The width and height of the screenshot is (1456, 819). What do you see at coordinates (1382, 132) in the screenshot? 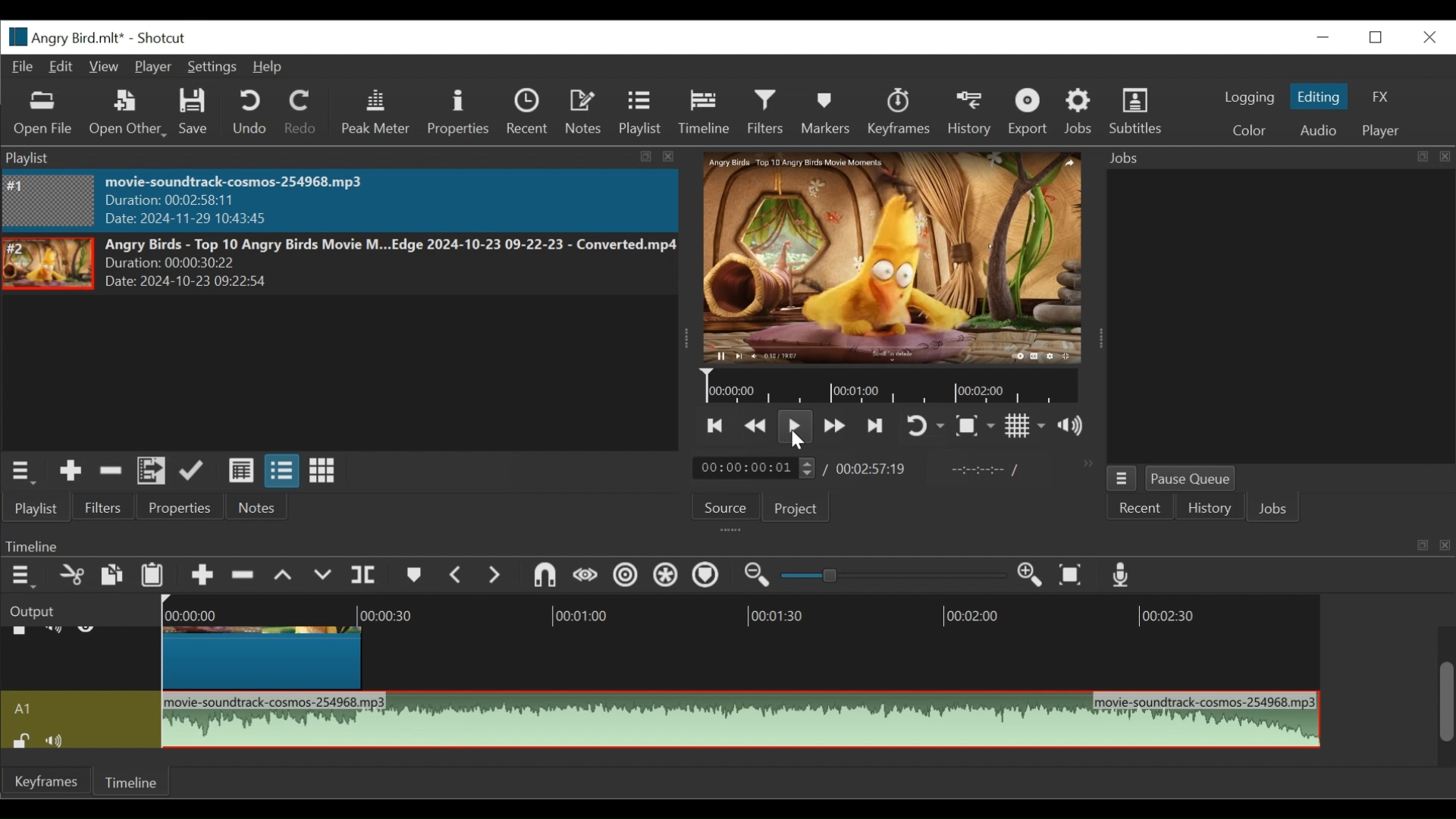
I see `Player` at bounding box center [1382, 132].